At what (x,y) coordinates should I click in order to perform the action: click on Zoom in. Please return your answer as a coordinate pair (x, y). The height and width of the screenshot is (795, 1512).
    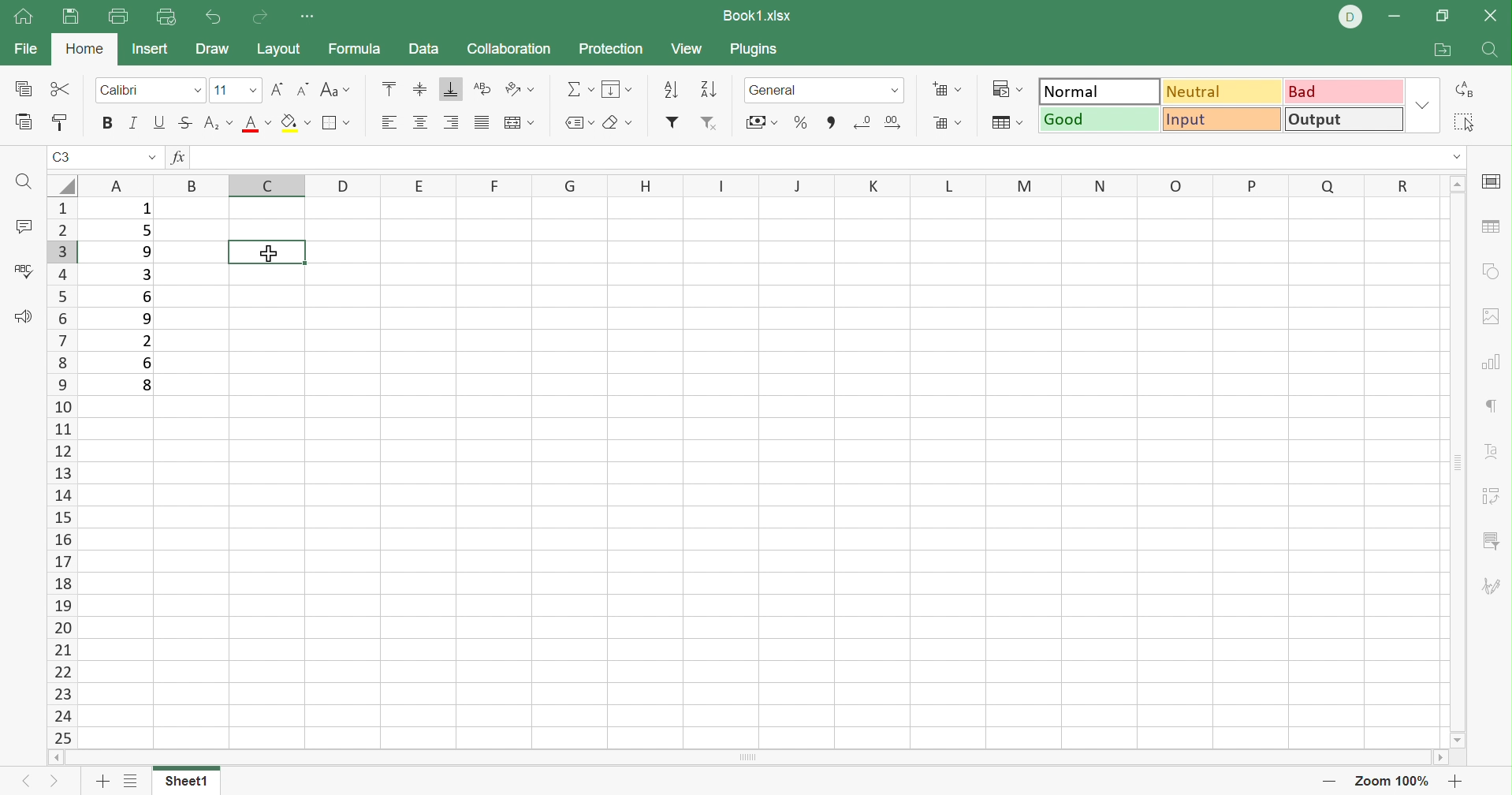
    Looking at the image, I should click on (1323, 780).